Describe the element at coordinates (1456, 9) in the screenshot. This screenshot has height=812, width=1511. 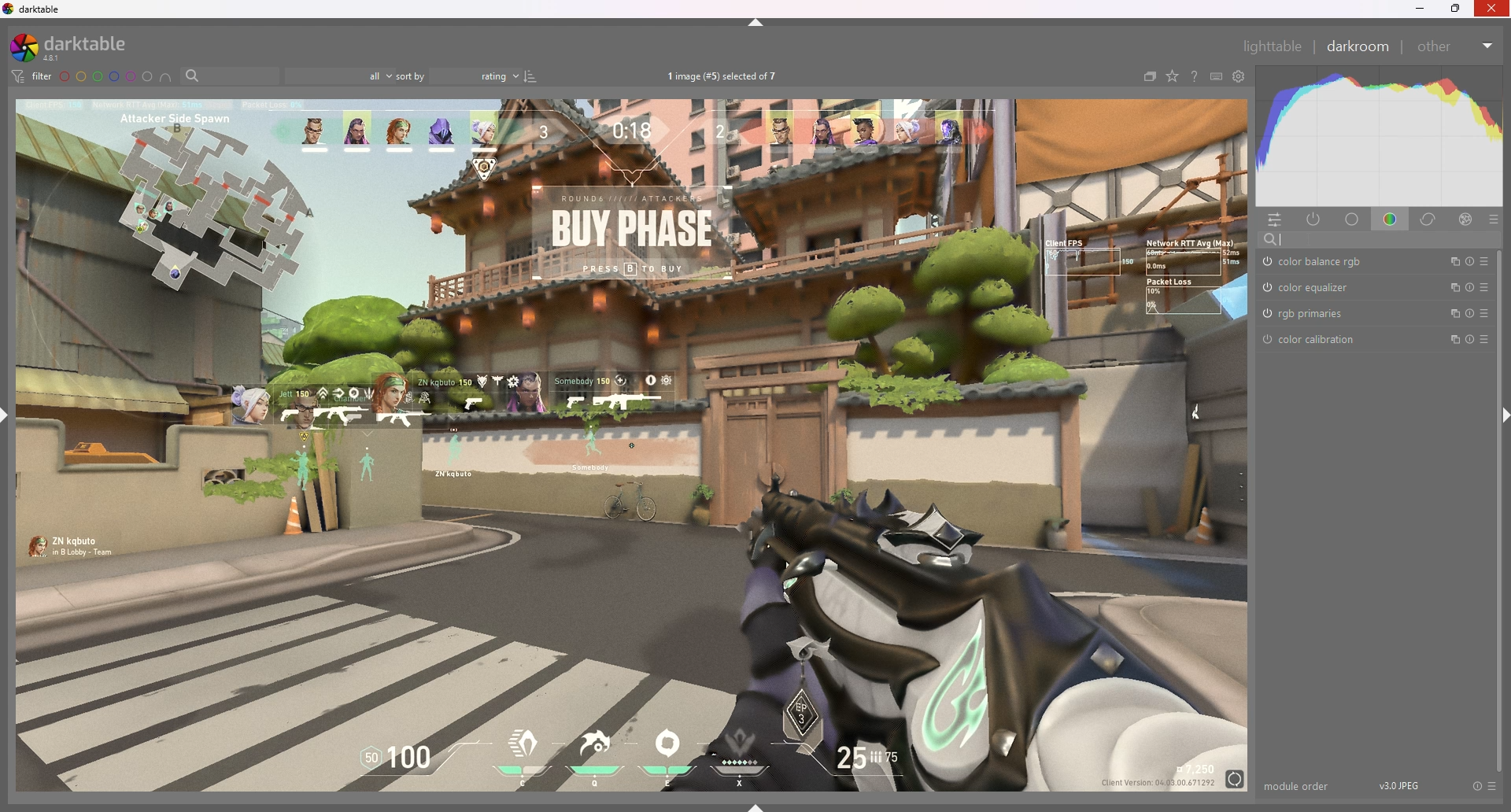
I see `resize` at that location.